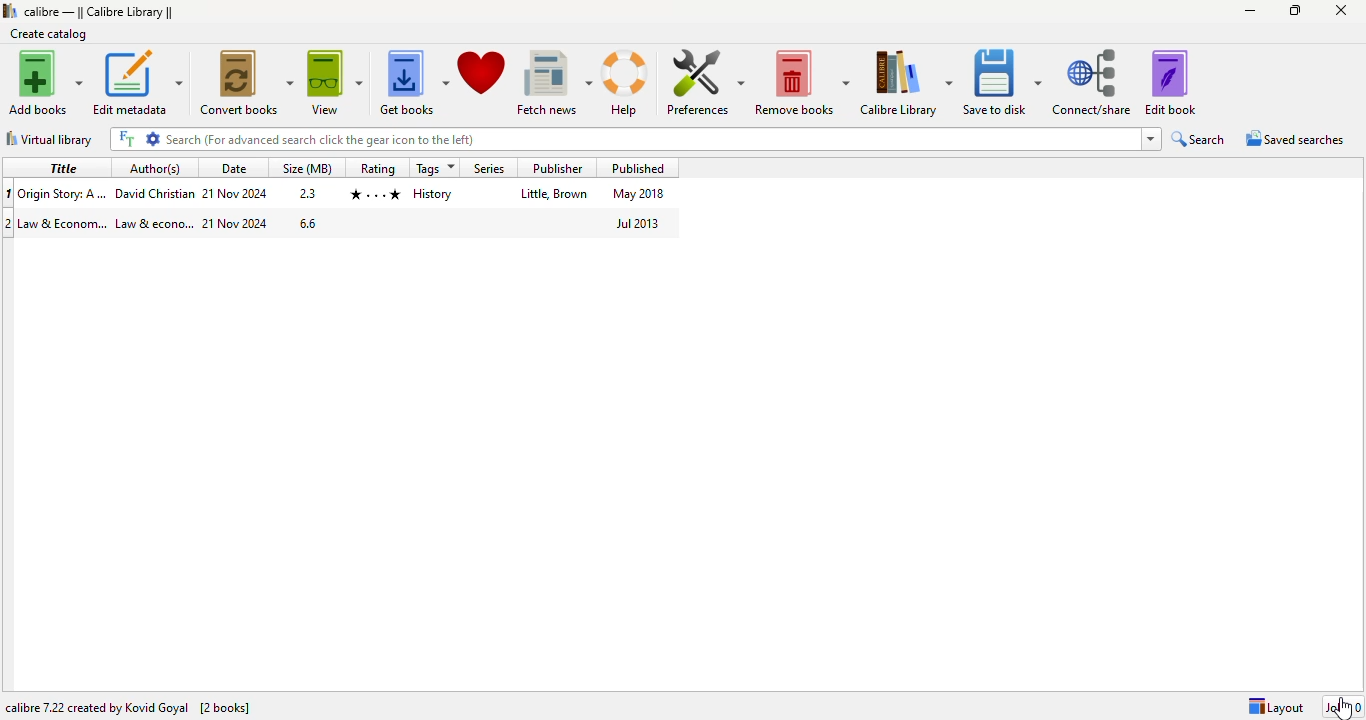 This screenshot has width=1366, height=720. Describe the element at coordinates (634, 223) in the screenshot. I see `published date` at that location.